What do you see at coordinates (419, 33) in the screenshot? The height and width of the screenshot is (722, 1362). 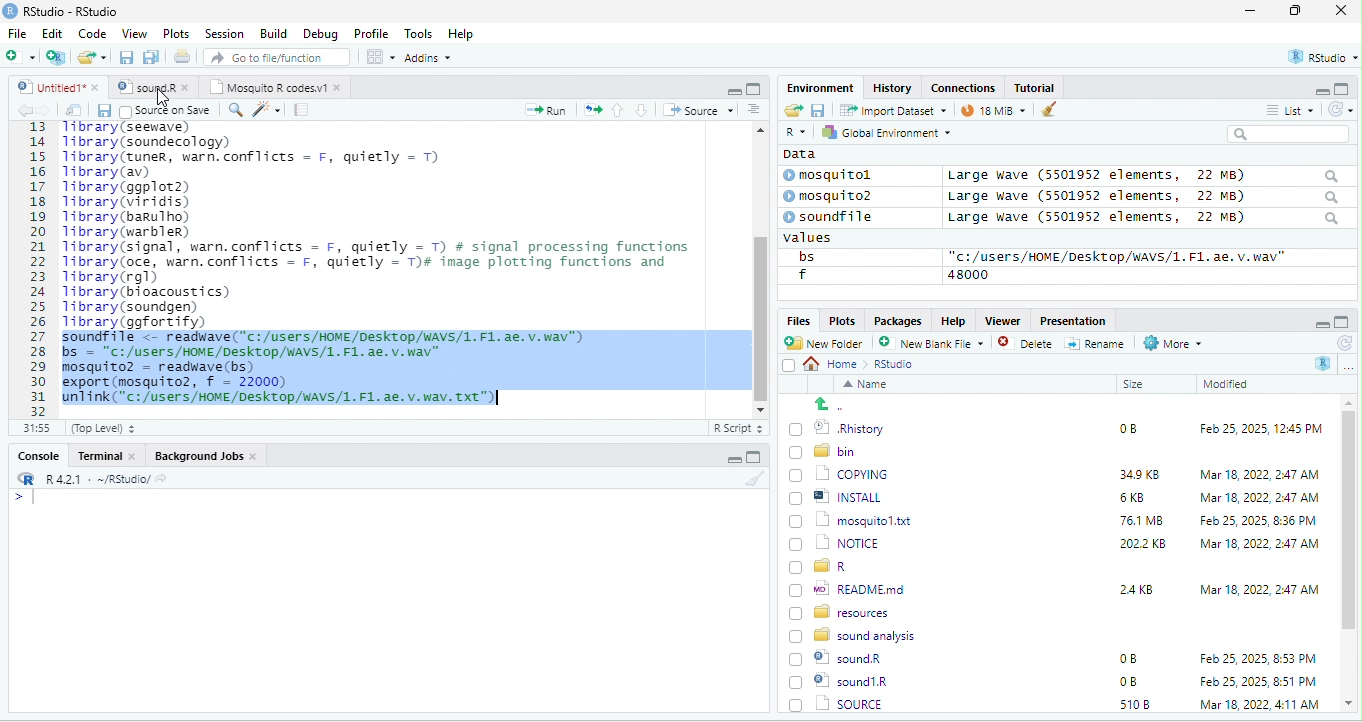 I see `Tools` at bounding box center [419, 33].